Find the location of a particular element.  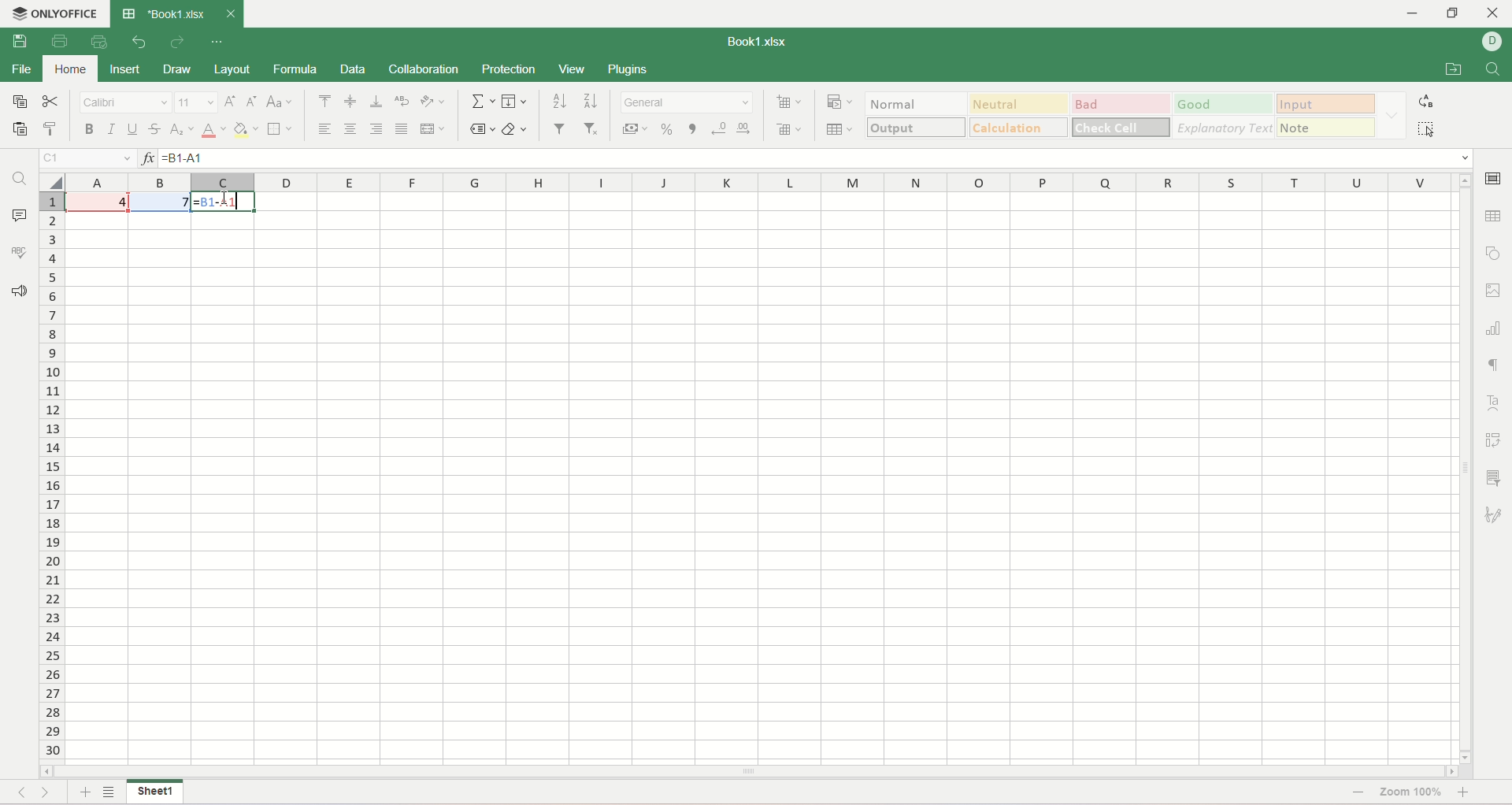

data is located at coordinates (353, 69).